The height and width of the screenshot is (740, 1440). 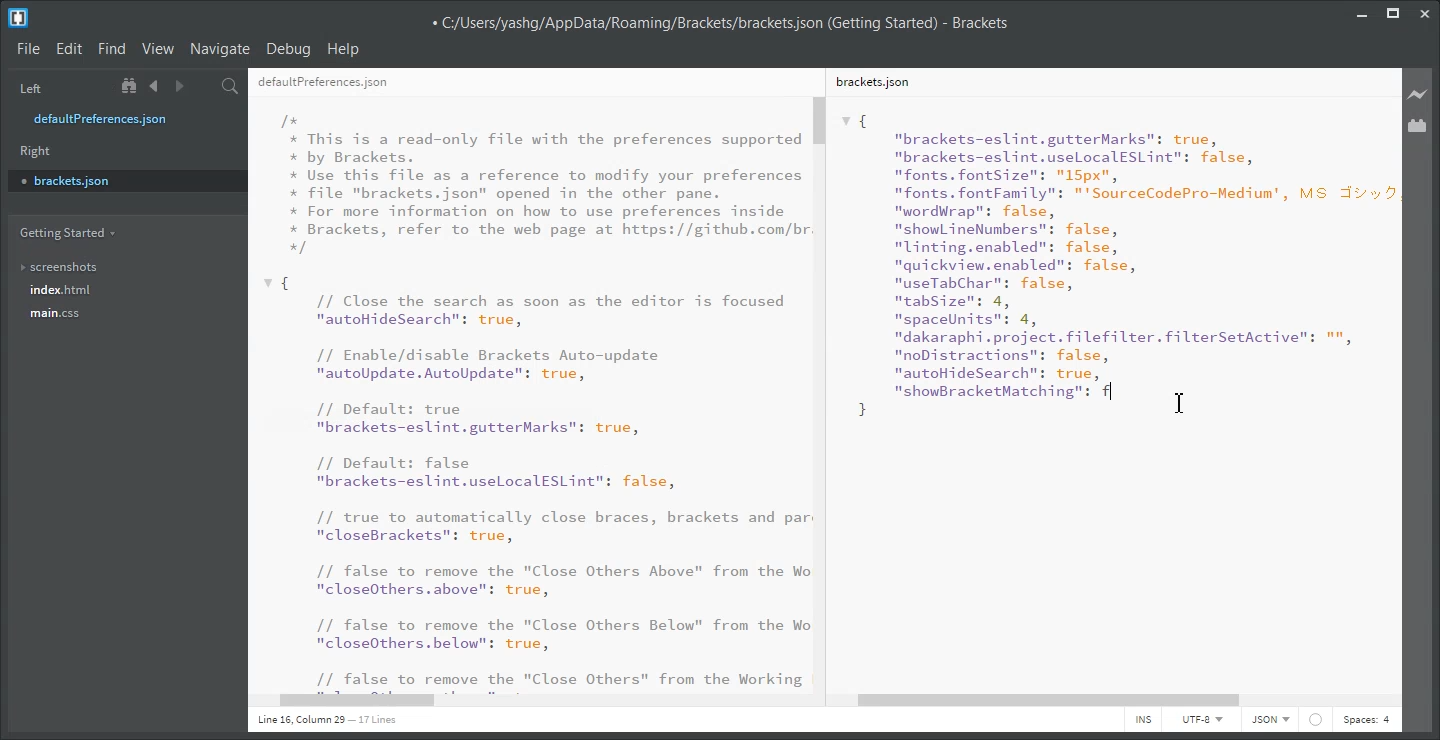 What do you see at coordinates (113, 119) in the screenshot?
I see `defaultPreferences.json` at bounding box center [113, 119].